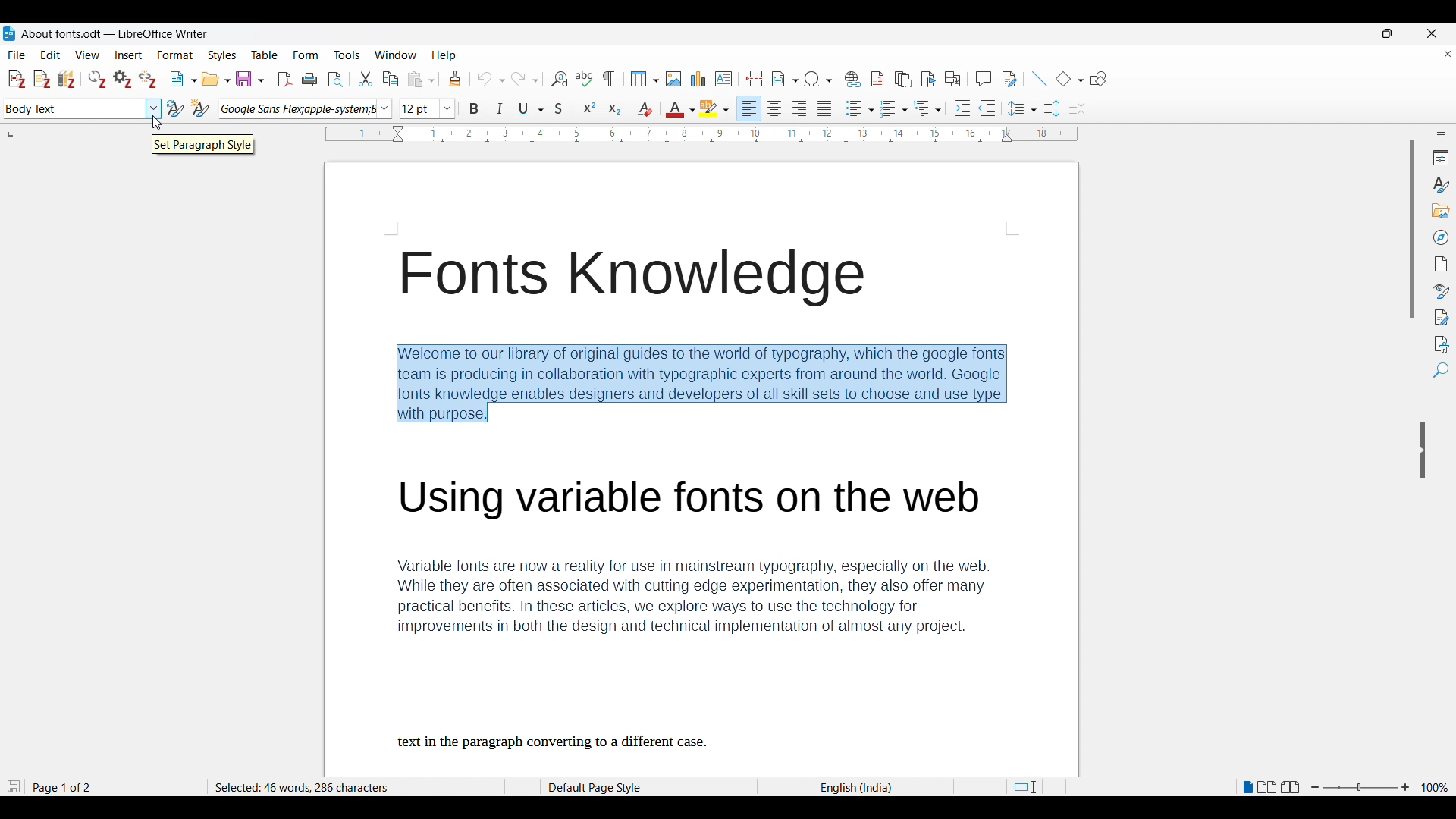 The image size is (1456, 819). What do you see at coordinates (427, 108) in the screenshot?
I see `Text size options` at bounding box center [427, 108].